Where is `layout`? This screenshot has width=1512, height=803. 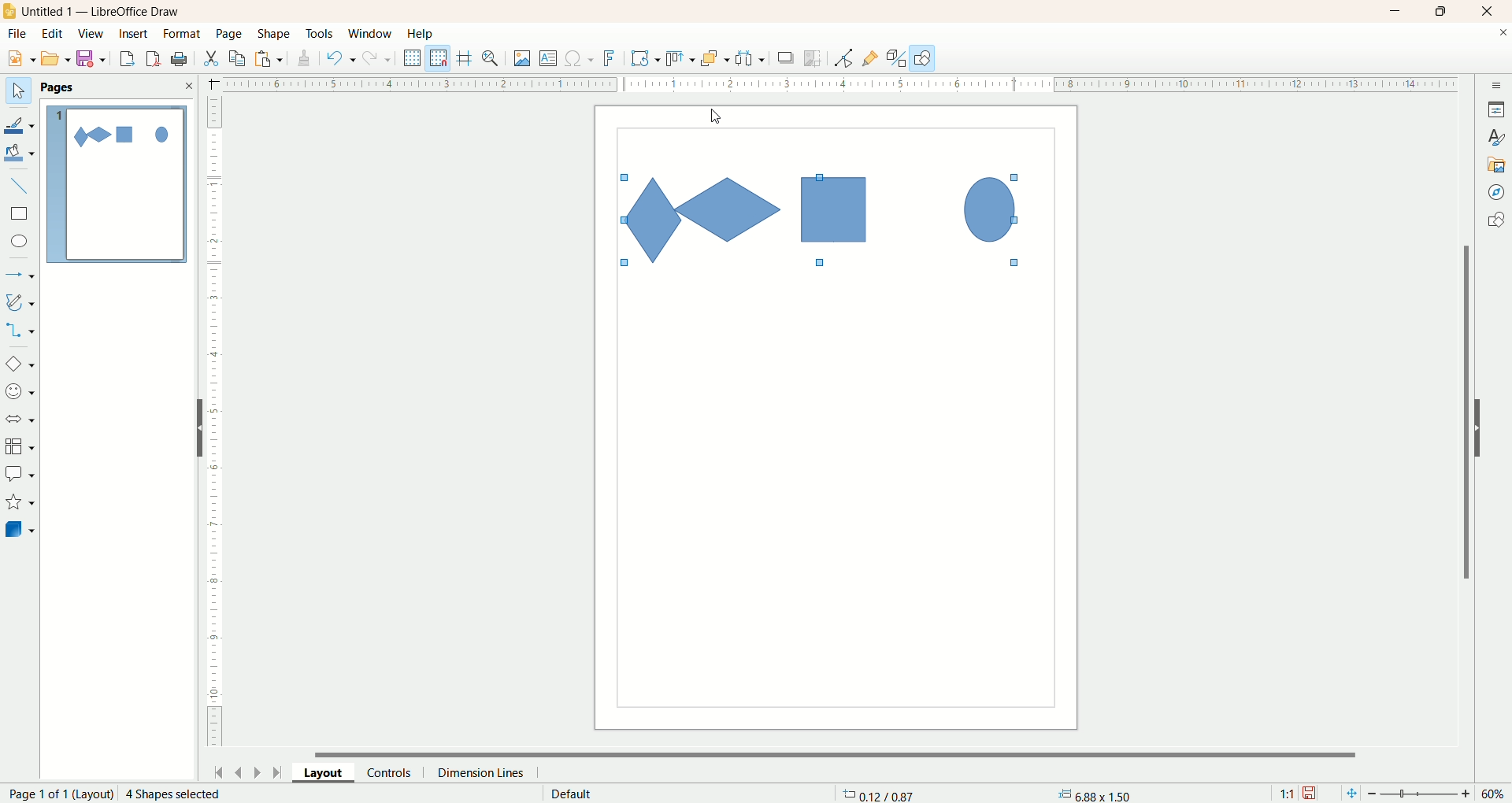 layout is located at coordinates (330, 772).